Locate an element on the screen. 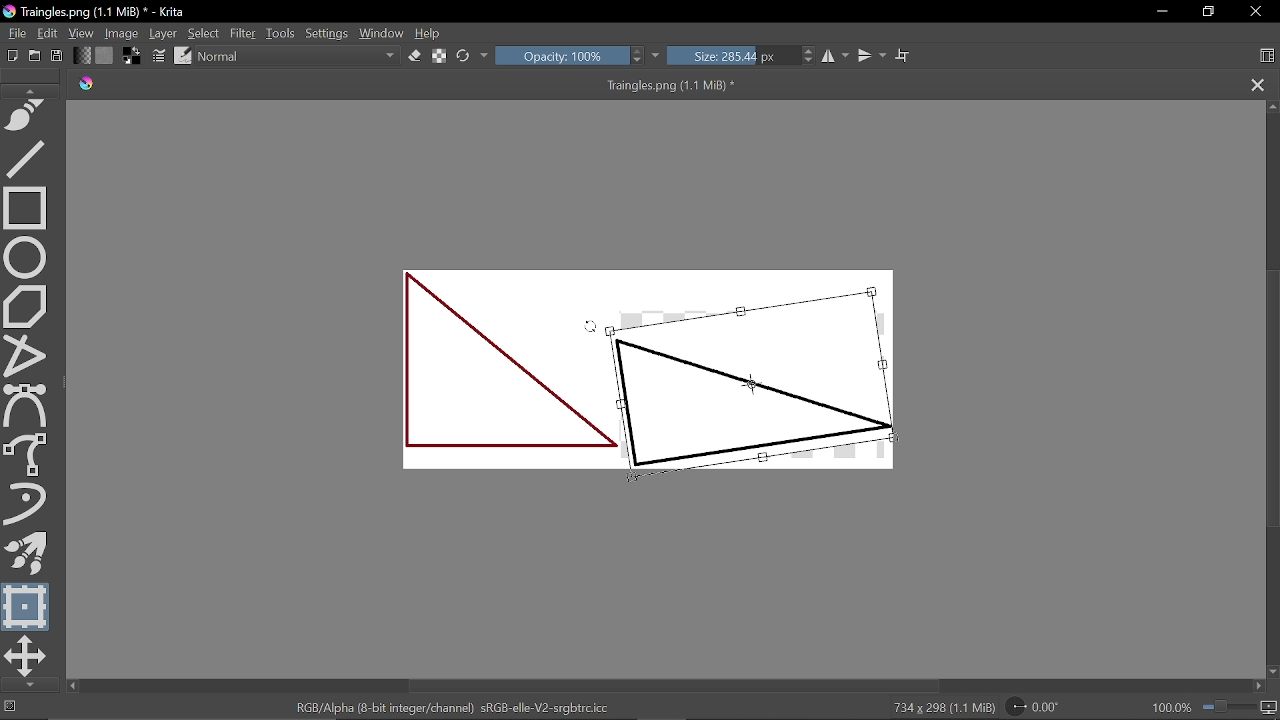  Bezier curve tool is located at coordinates (28, 406).